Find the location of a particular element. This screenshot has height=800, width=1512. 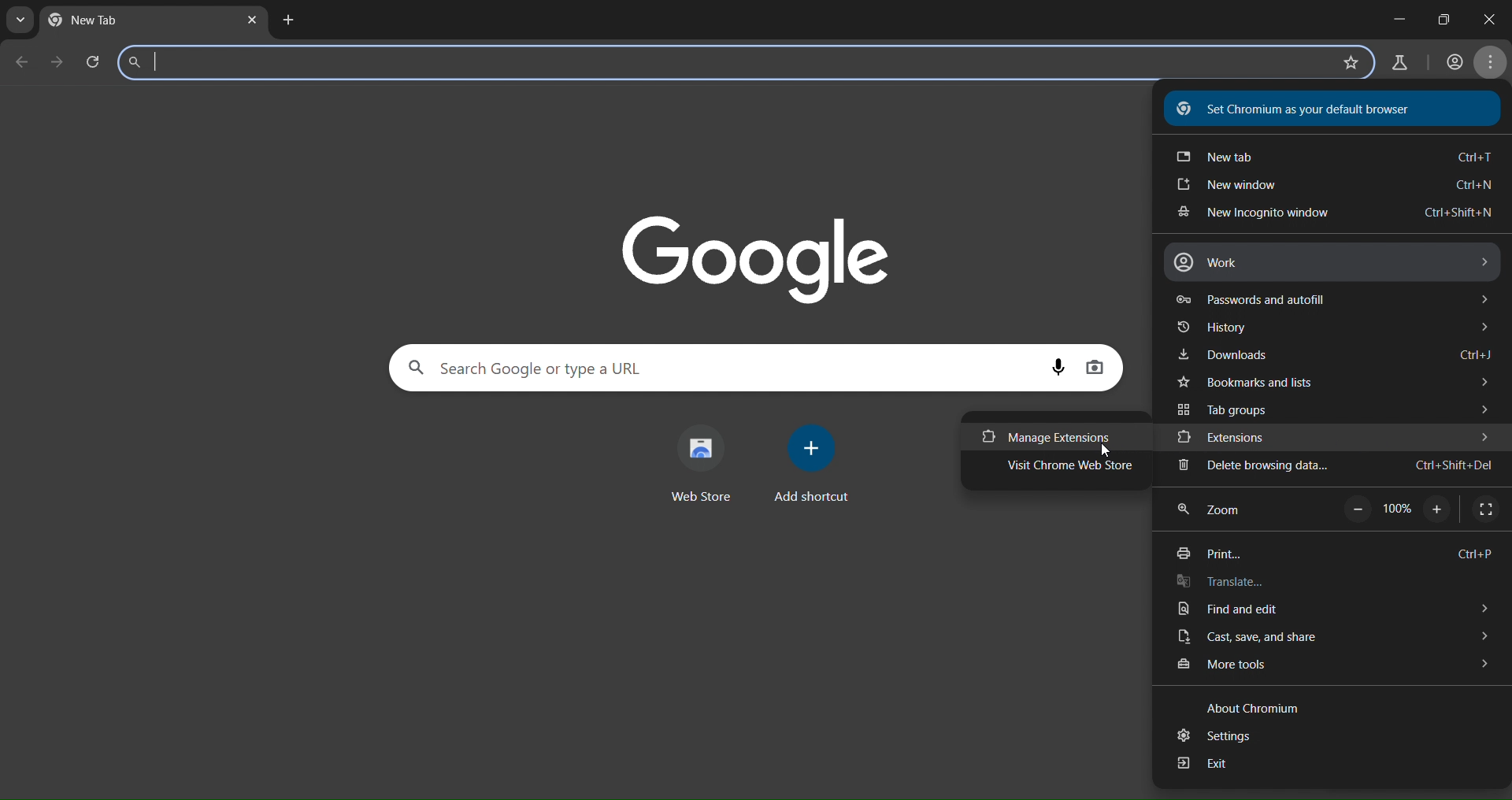

image search is located at coordinates (1095, 369).